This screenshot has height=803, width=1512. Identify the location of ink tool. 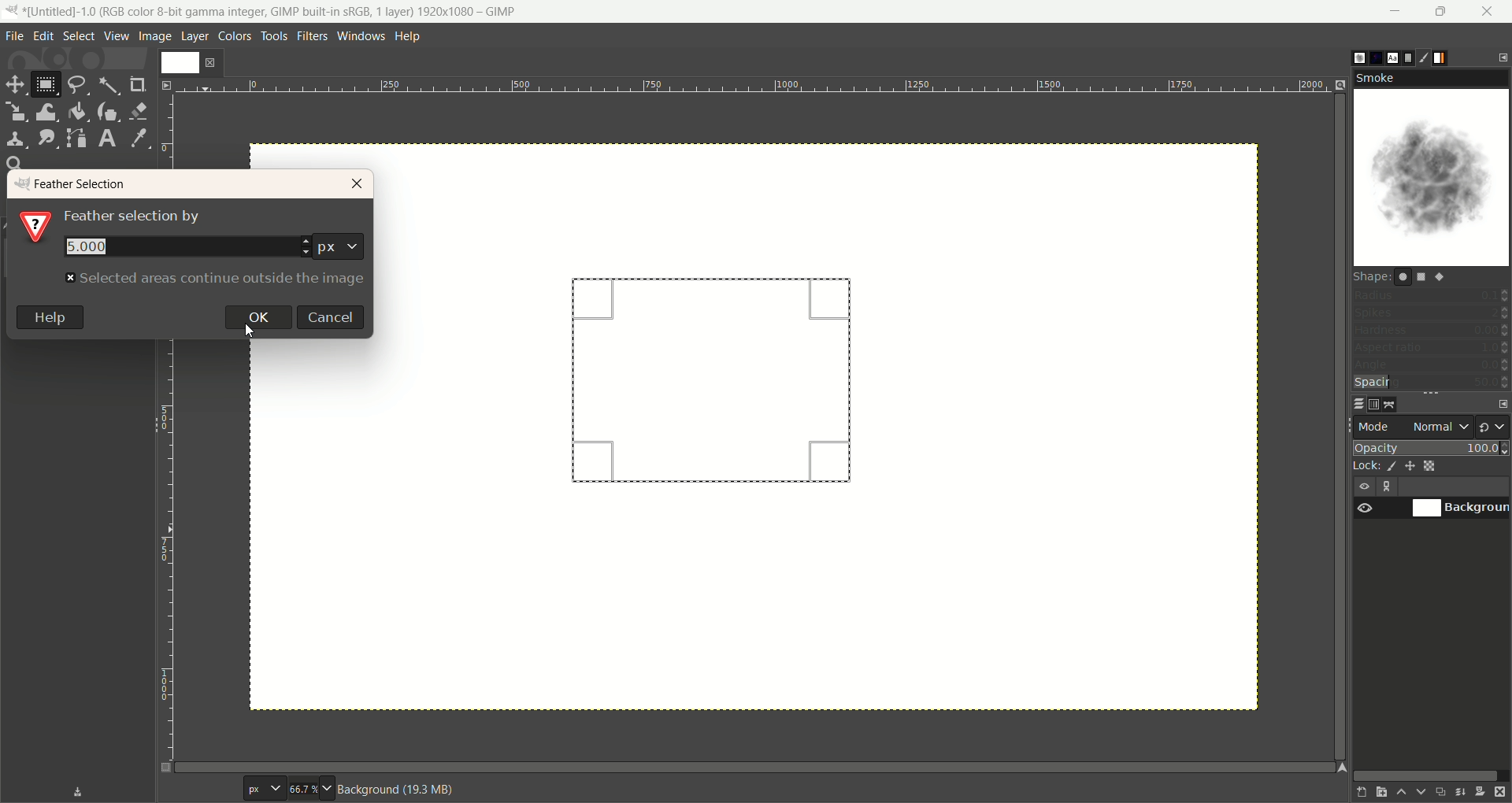
(109, 112).